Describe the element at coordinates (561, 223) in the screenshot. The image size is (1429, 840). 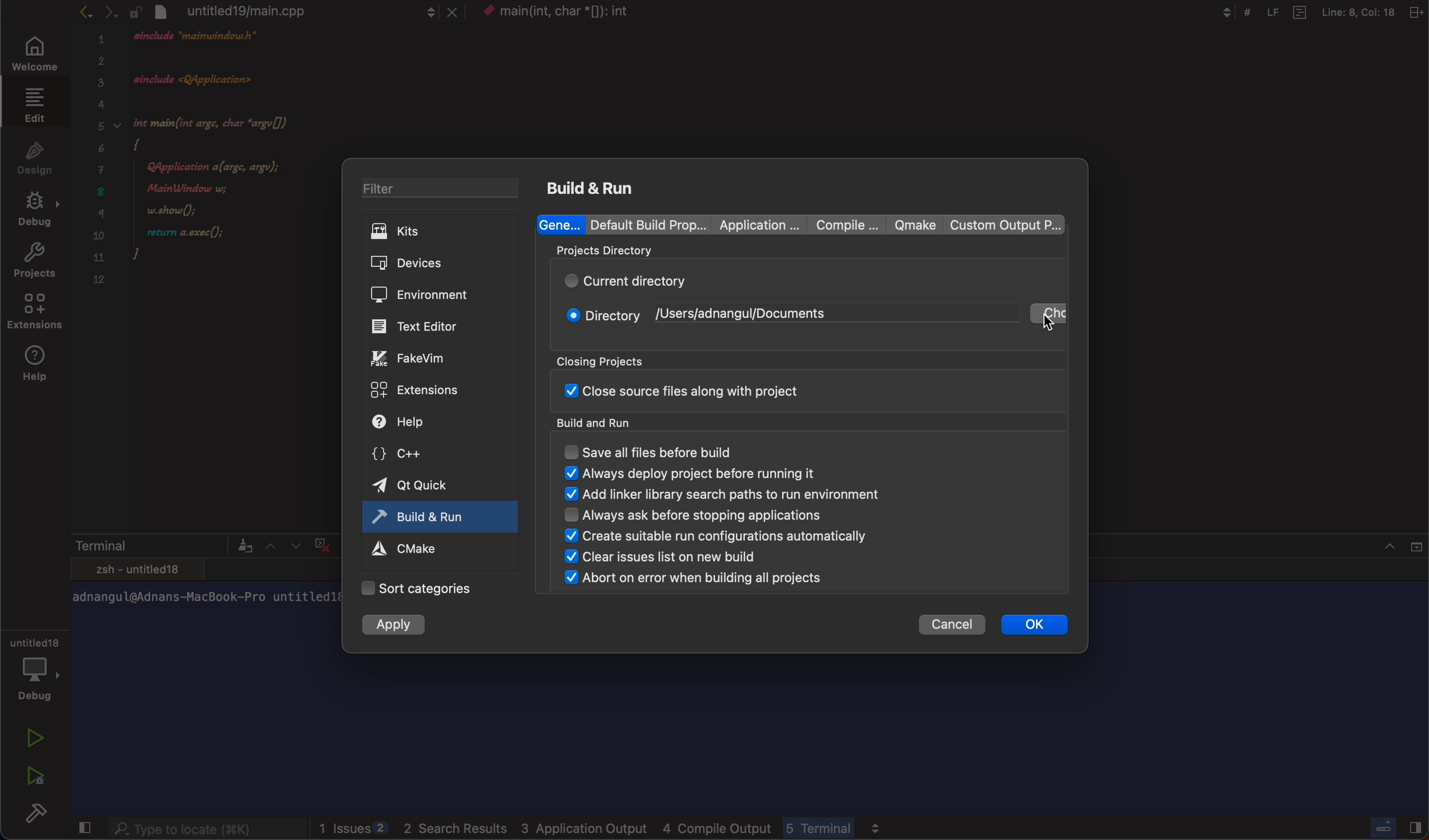
I see `general` at that location.